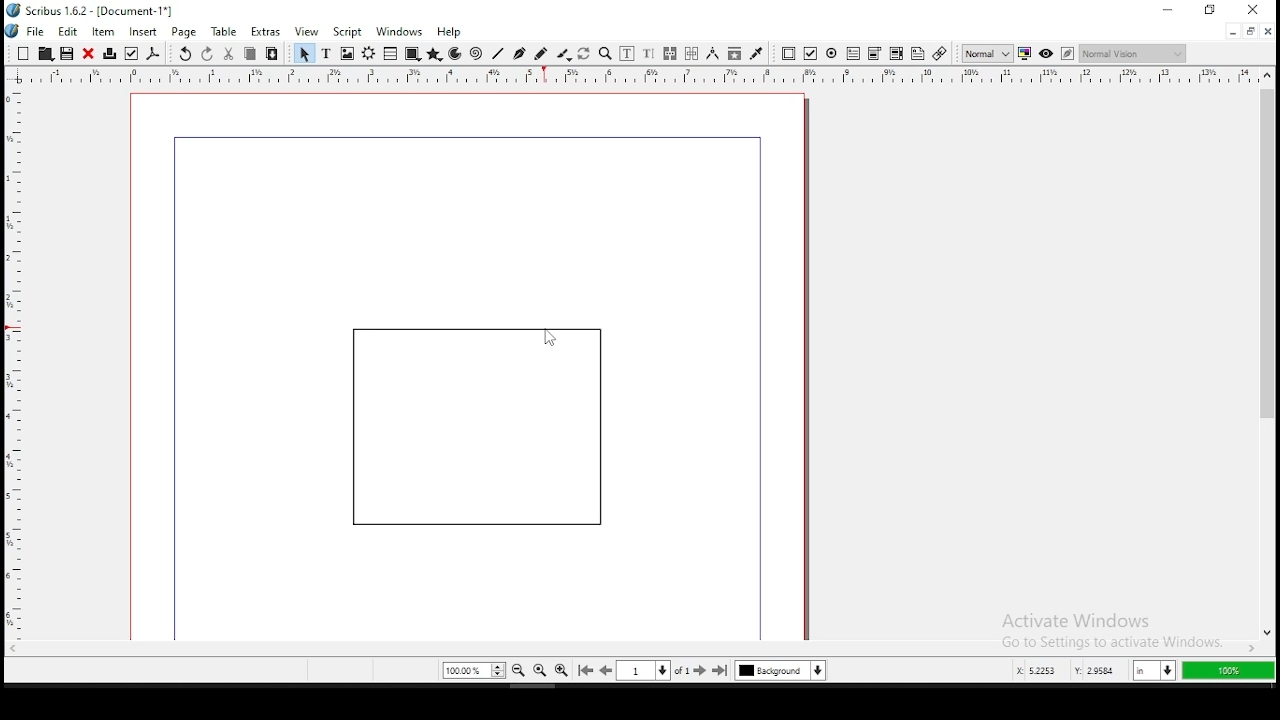 The height and width of the screenshot is (720, 1280). I want to click on zoom 100%, so click(474, 670).